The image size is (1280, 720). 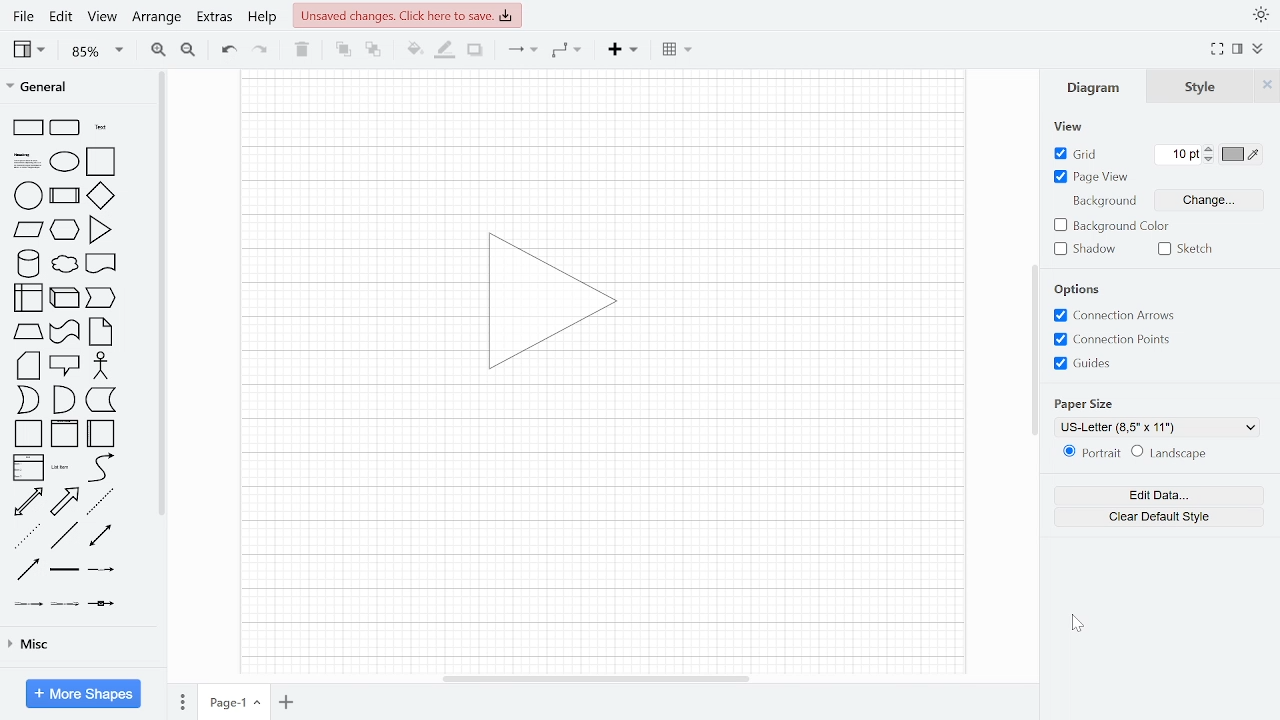 I want to click on Rectangle, so click(x=28, y=128).